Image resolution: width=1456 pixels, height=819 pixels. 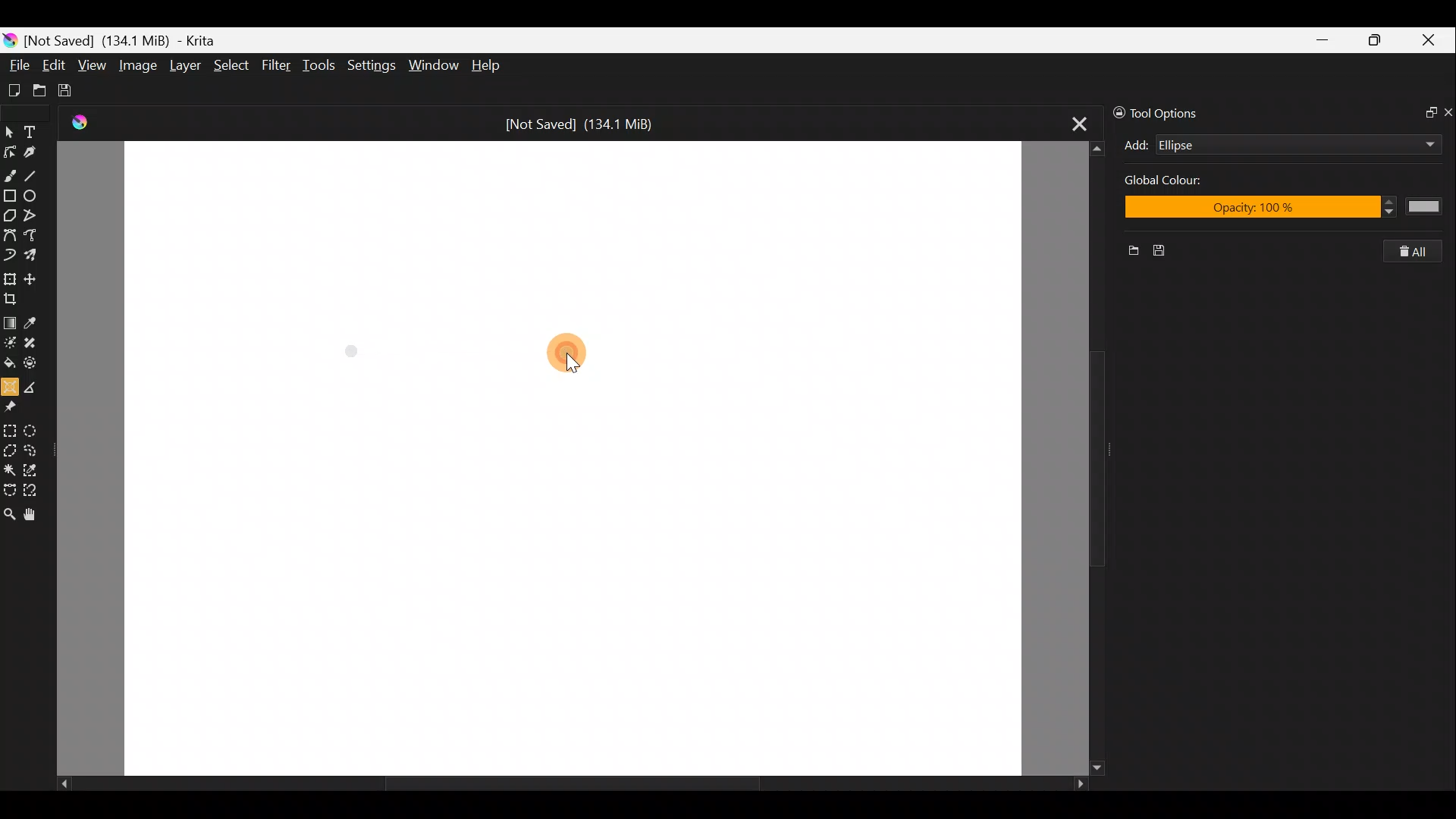 What do you see at coordinates (436, 64) in the screenshot?
I see `Window` at bounding box center [436, 64].